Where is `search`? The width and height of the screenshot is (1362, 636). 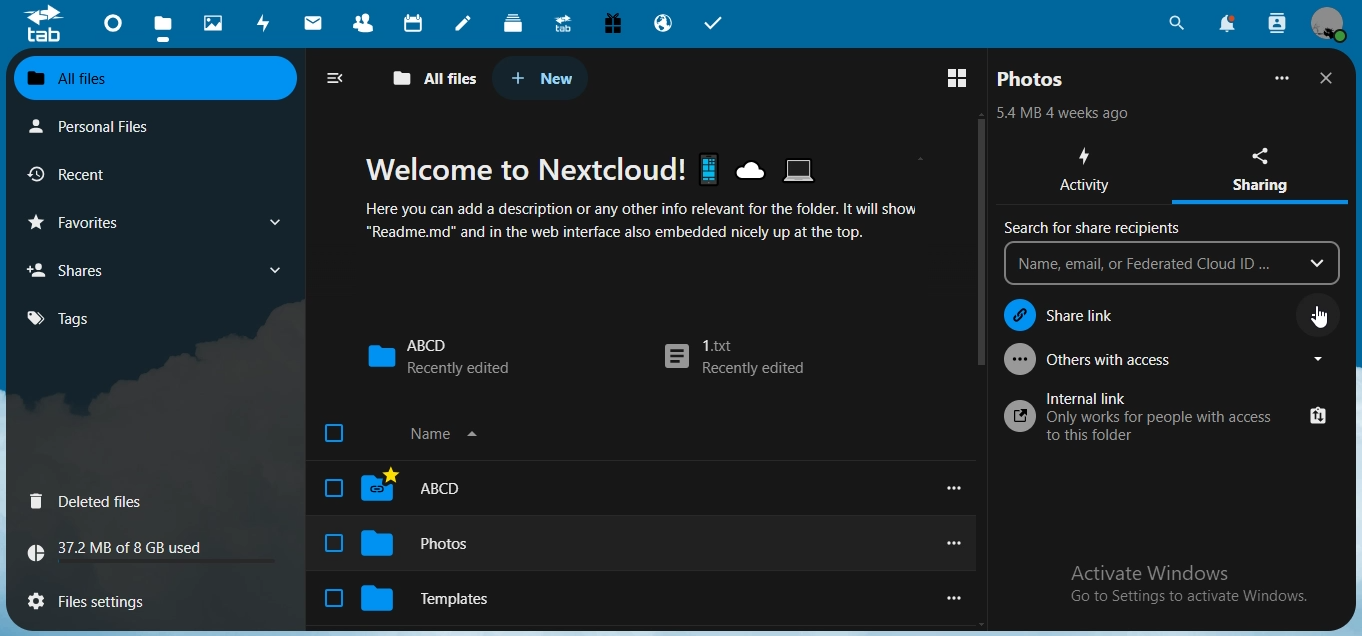
search is located at coordinates (1174, 24).